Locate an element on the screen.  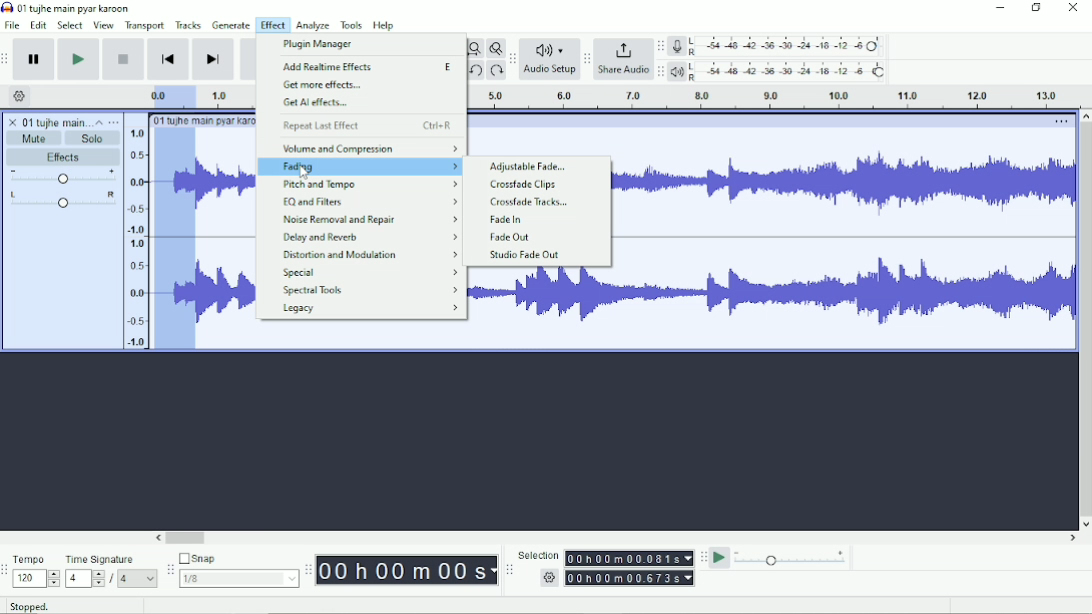
Collapse is located at coordinates (99, 122).